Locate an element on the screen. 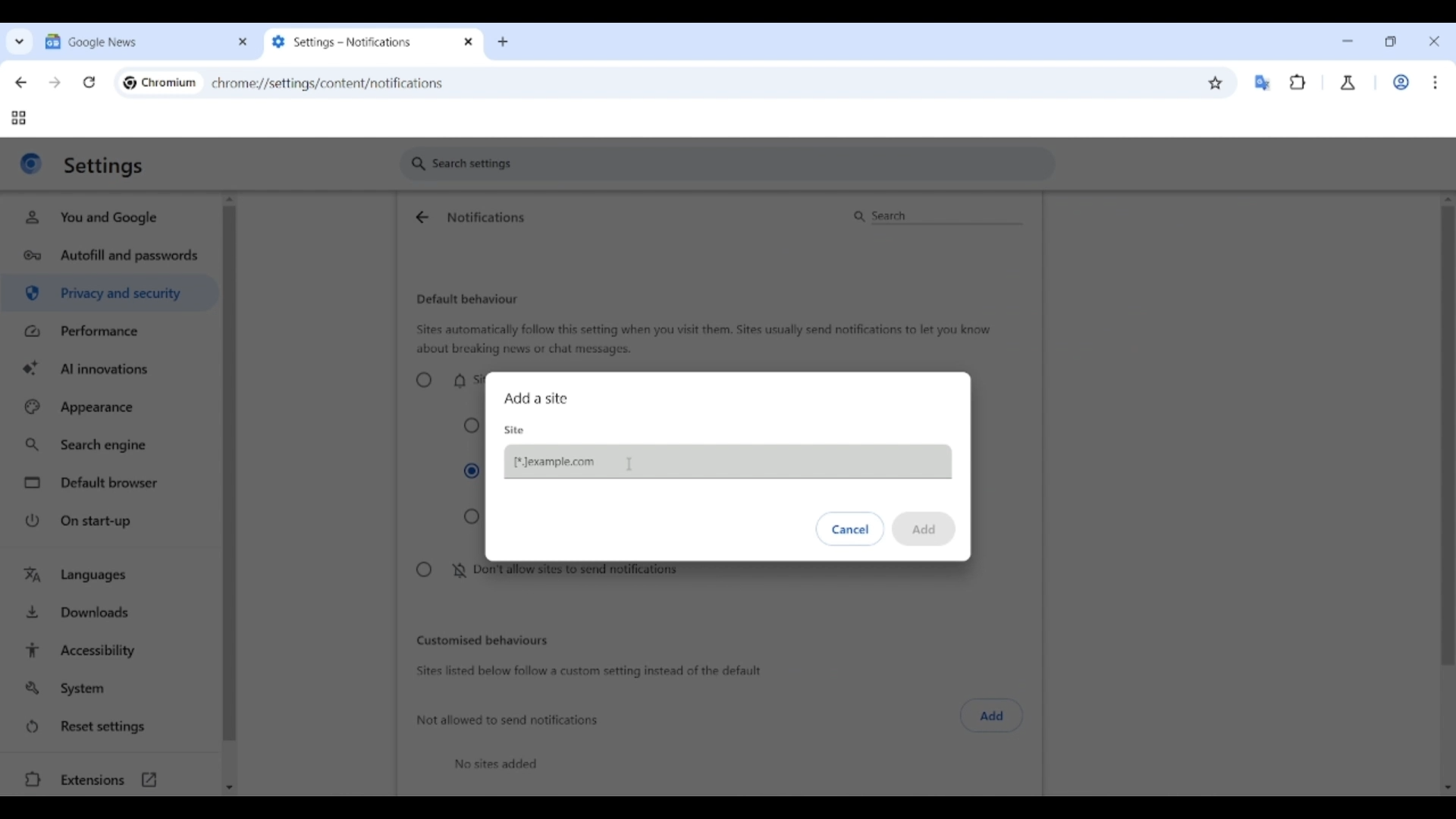  No sites added is located at coordinates (496, 764).